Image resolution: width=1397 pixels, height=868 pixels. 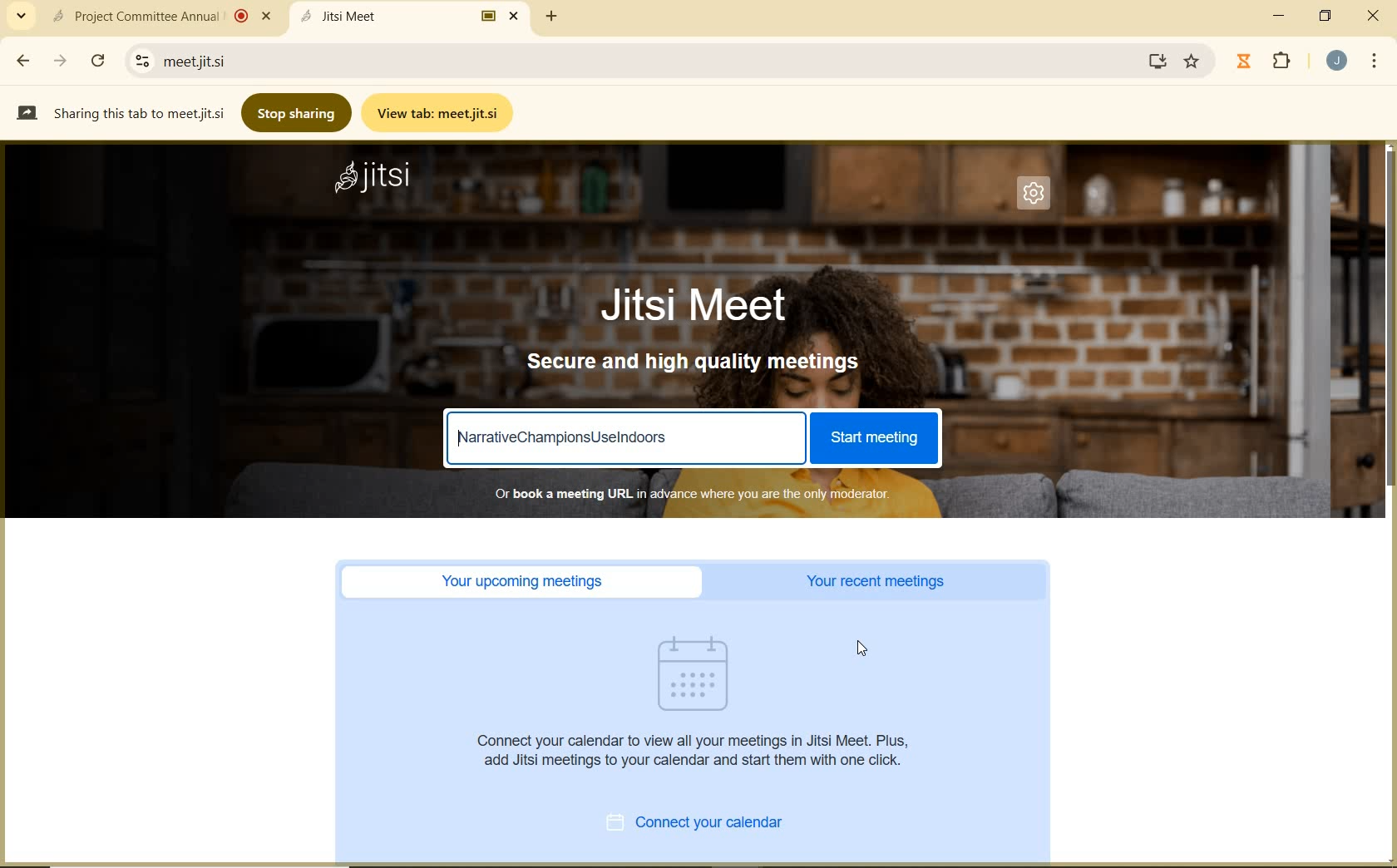 I want to click on Project Committee Annual, so click(x=159, y=16).